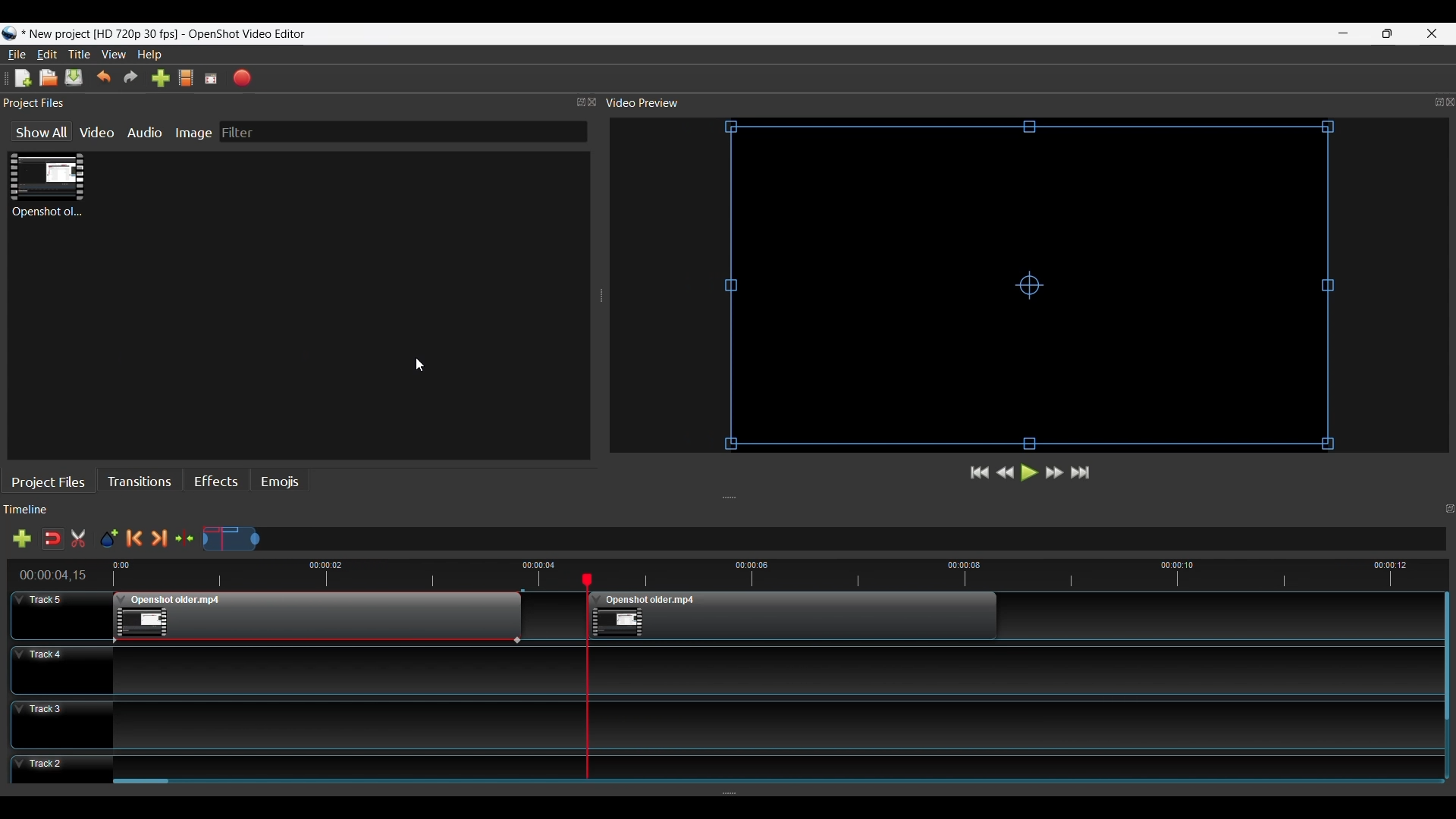  I want to click on Clip at Track Panel, so click(795, 616).